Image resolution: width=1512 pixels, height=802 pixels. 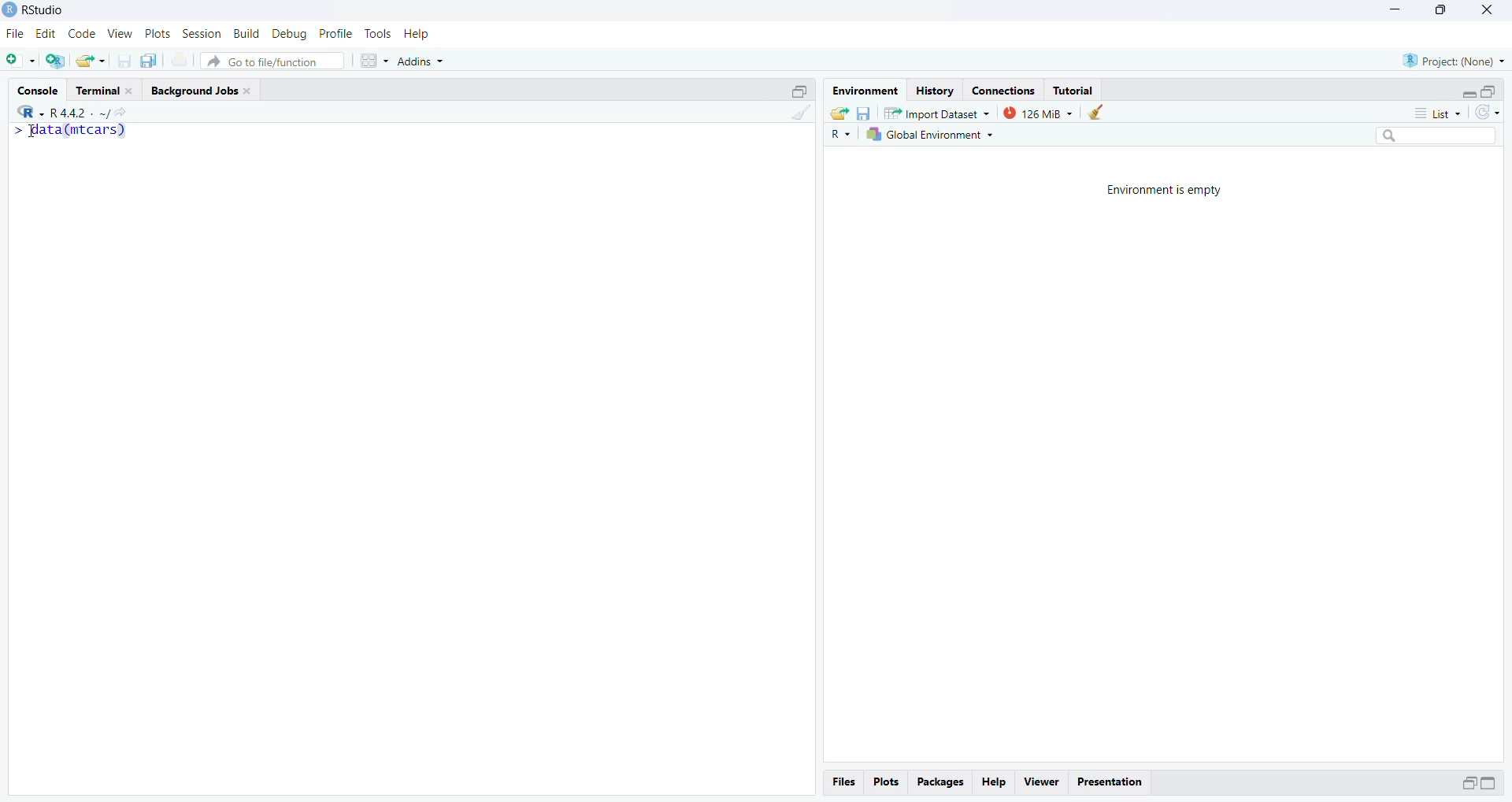 What do you see at coordinates (1436, 136) in the screenshot?
I see `search` at bounding box center [1436, 136].